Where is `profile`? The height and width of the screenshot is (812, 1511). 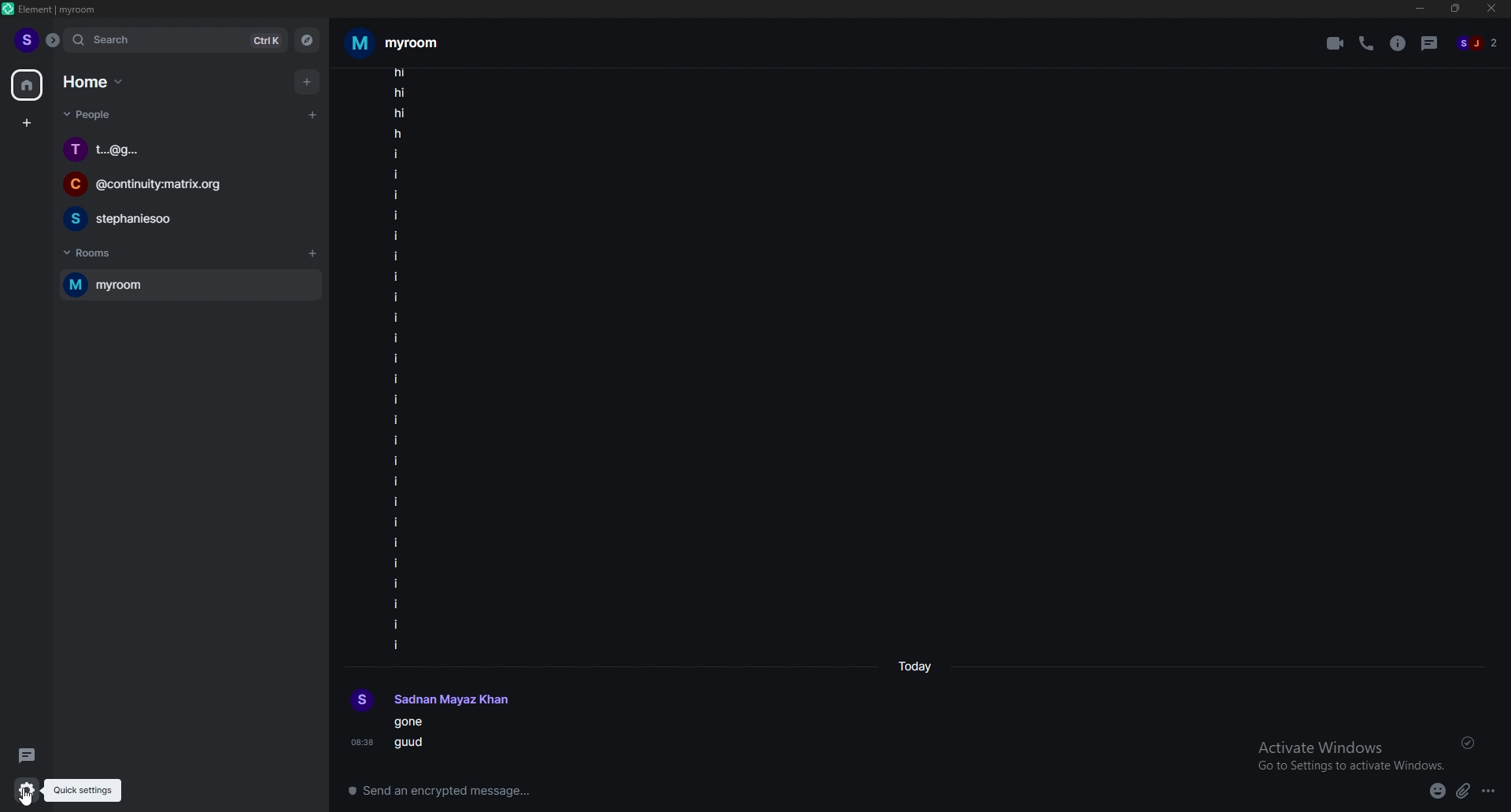
profile is located at coordinates (28, 39).